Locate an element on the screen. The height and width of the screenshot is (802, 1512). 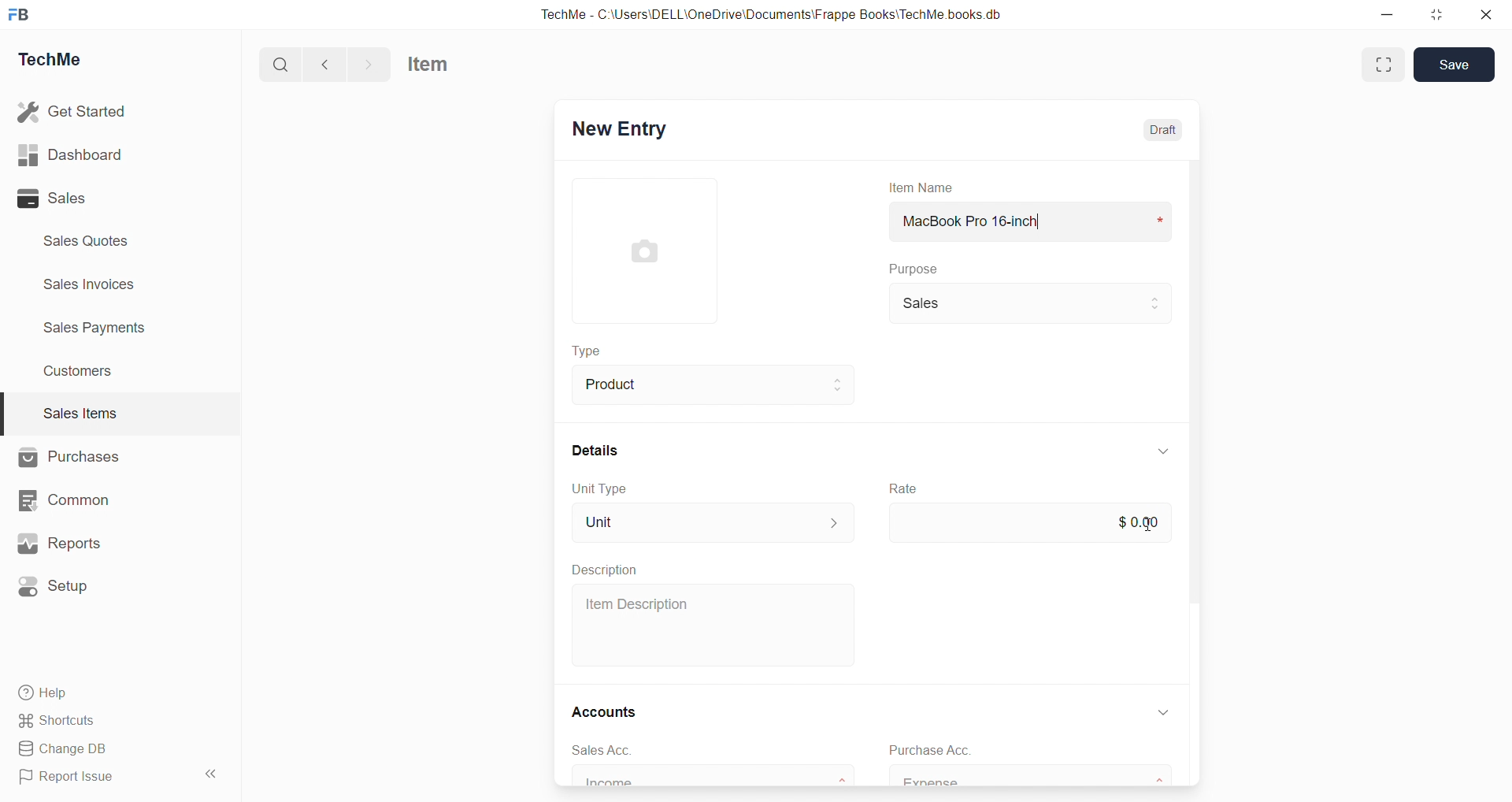
Purpose is located at coordinates (911, 268).